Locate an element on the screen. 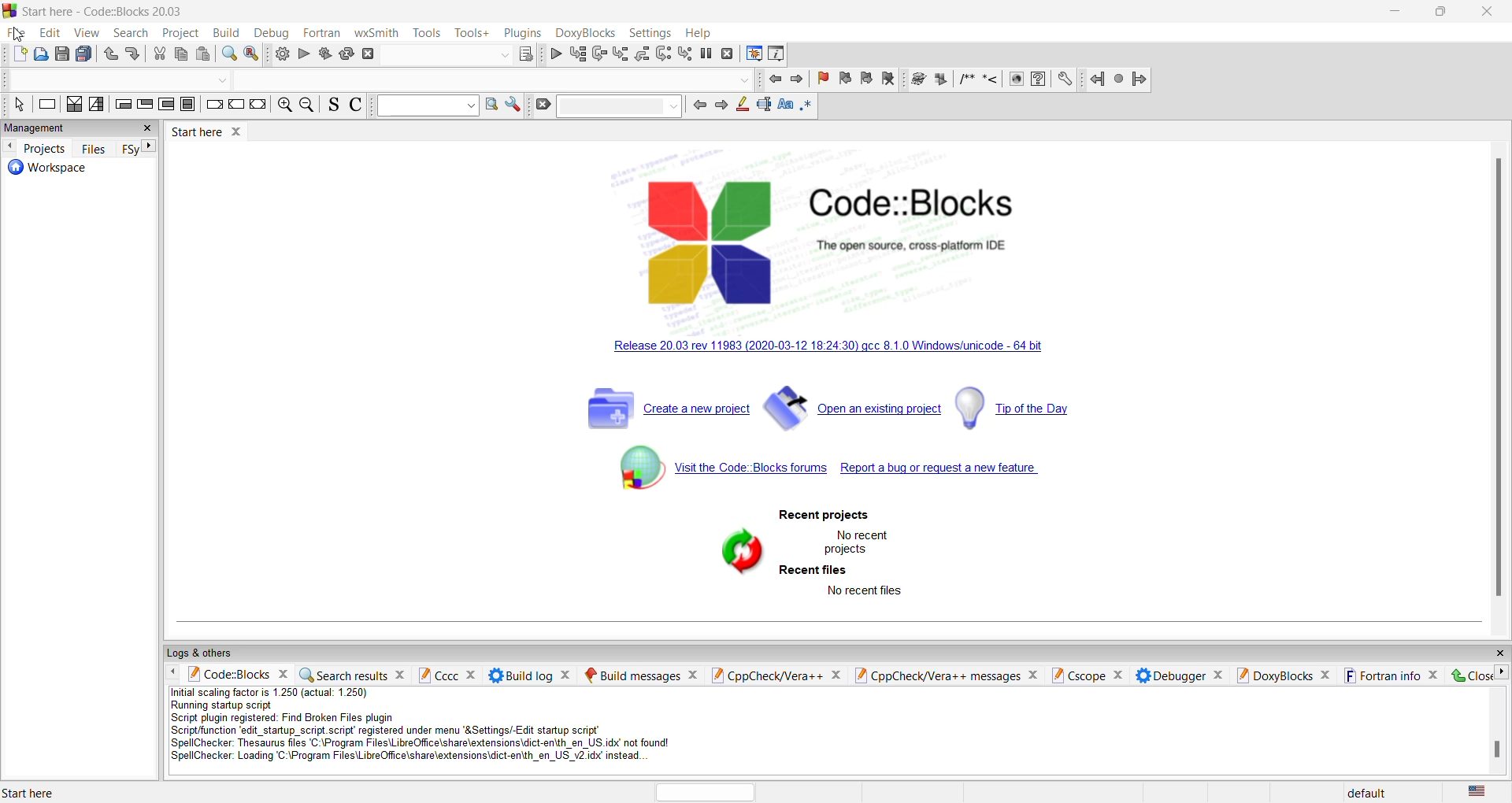 This screenshot has width=1512, height=803. build log panes is located at coordinates (519, 675).